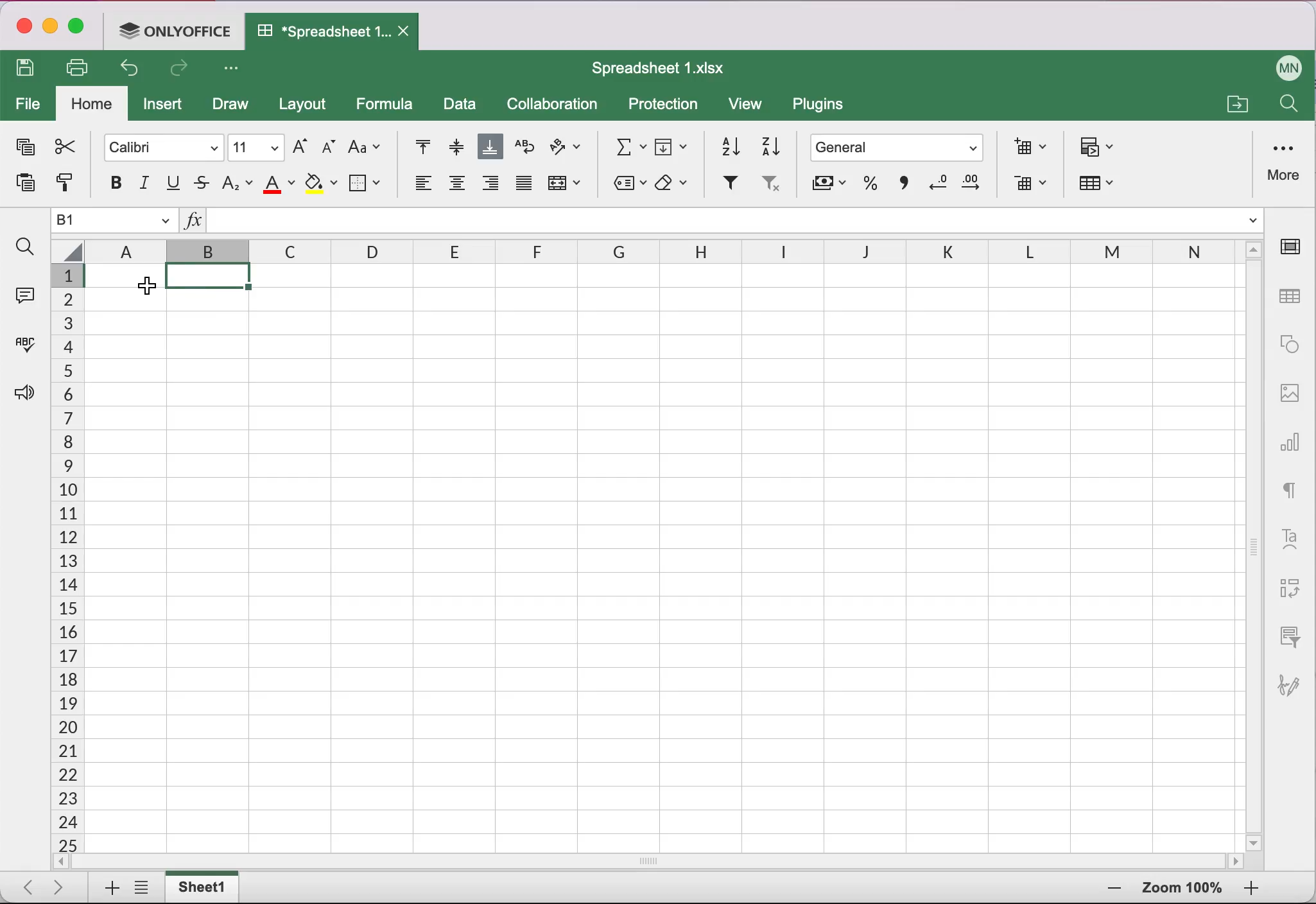  Describe the element at coordinates (901, 187) in the screenshot. I see `add comma` at that location.